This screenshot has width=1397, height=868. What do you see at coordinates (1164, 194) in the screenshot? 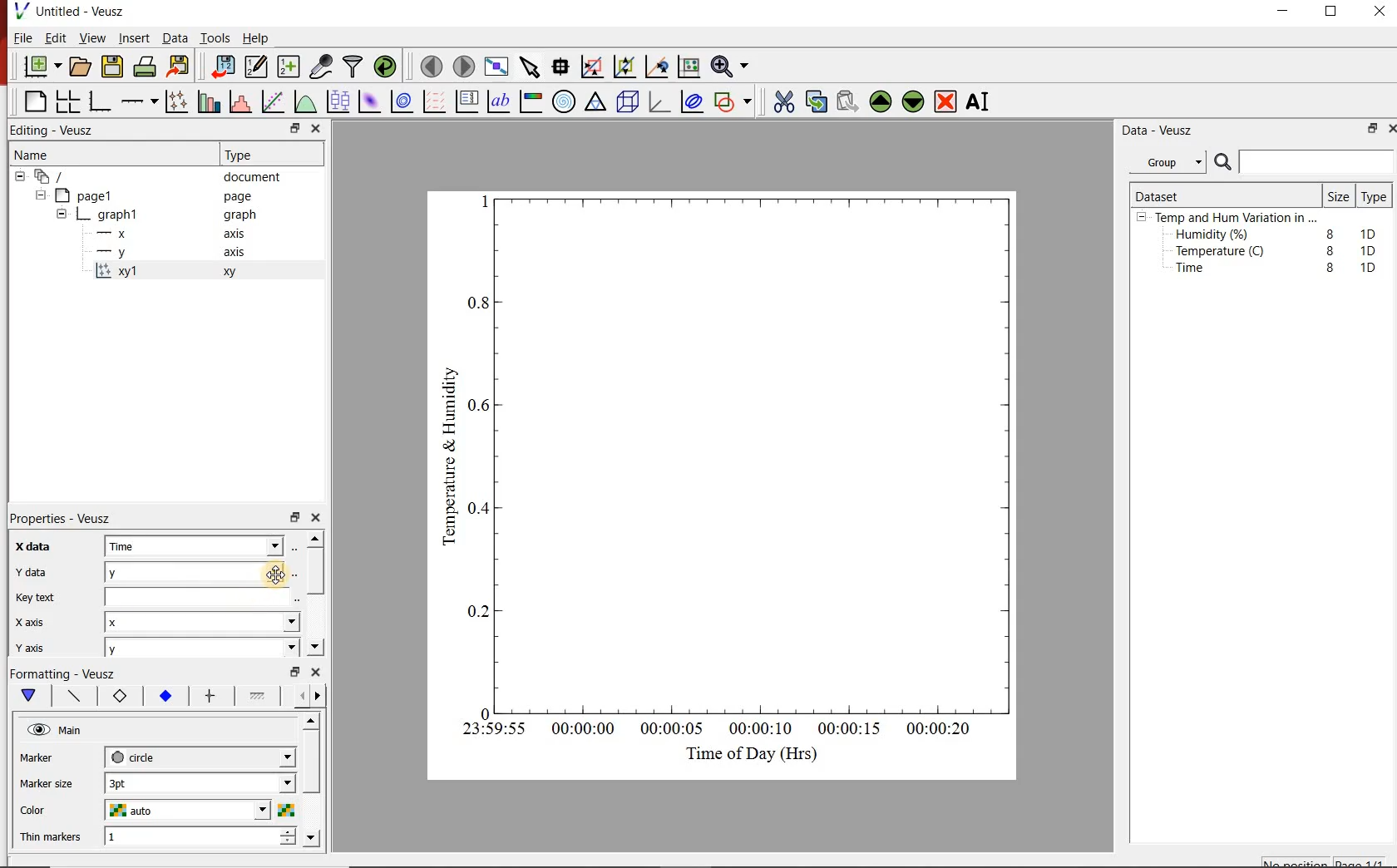
I see `Dataset` at bounding box center [1164, 194].